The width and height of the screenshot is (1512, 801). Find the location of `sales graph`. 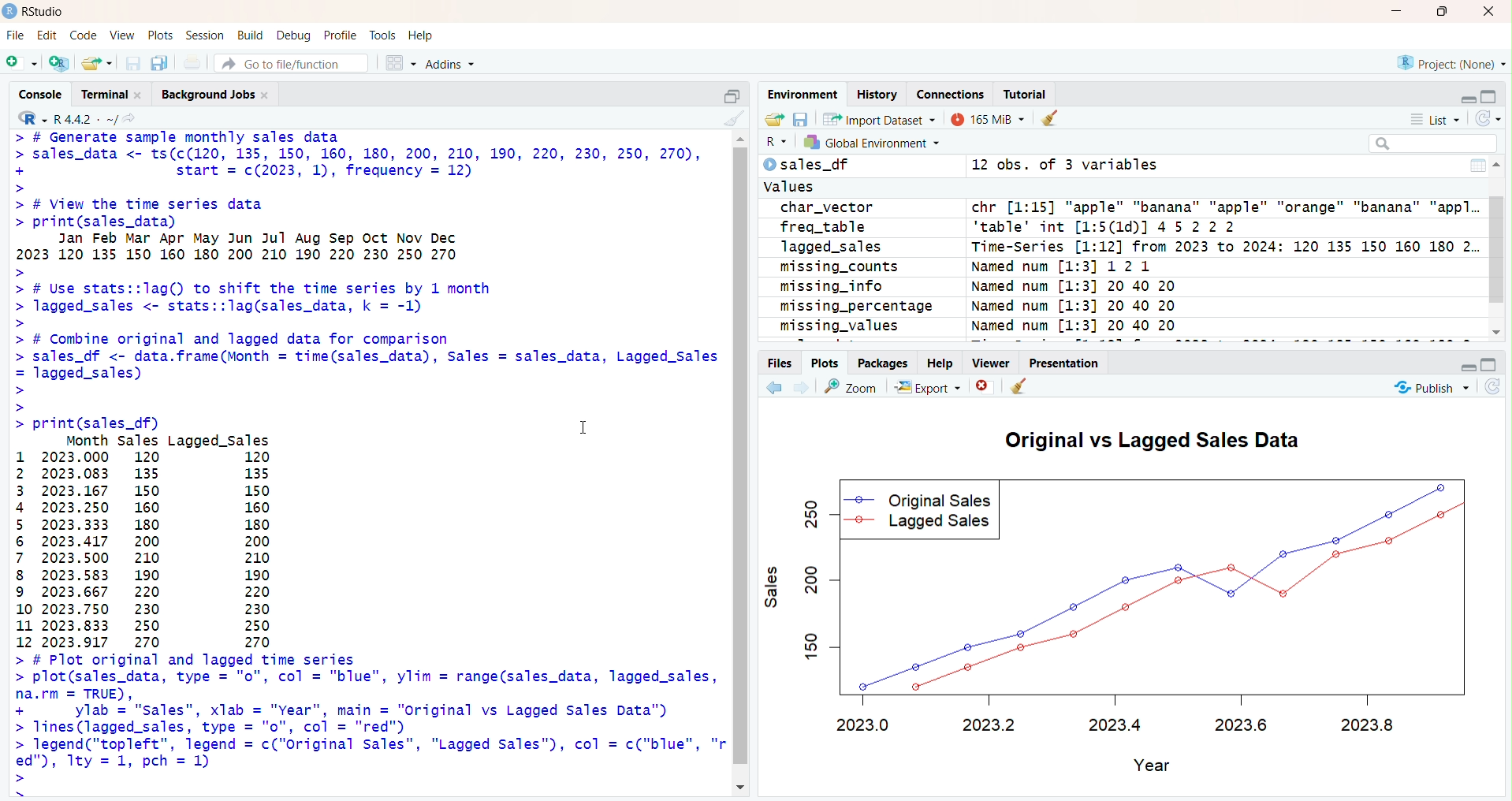

sales graph is located at coordinates (1135, 606).